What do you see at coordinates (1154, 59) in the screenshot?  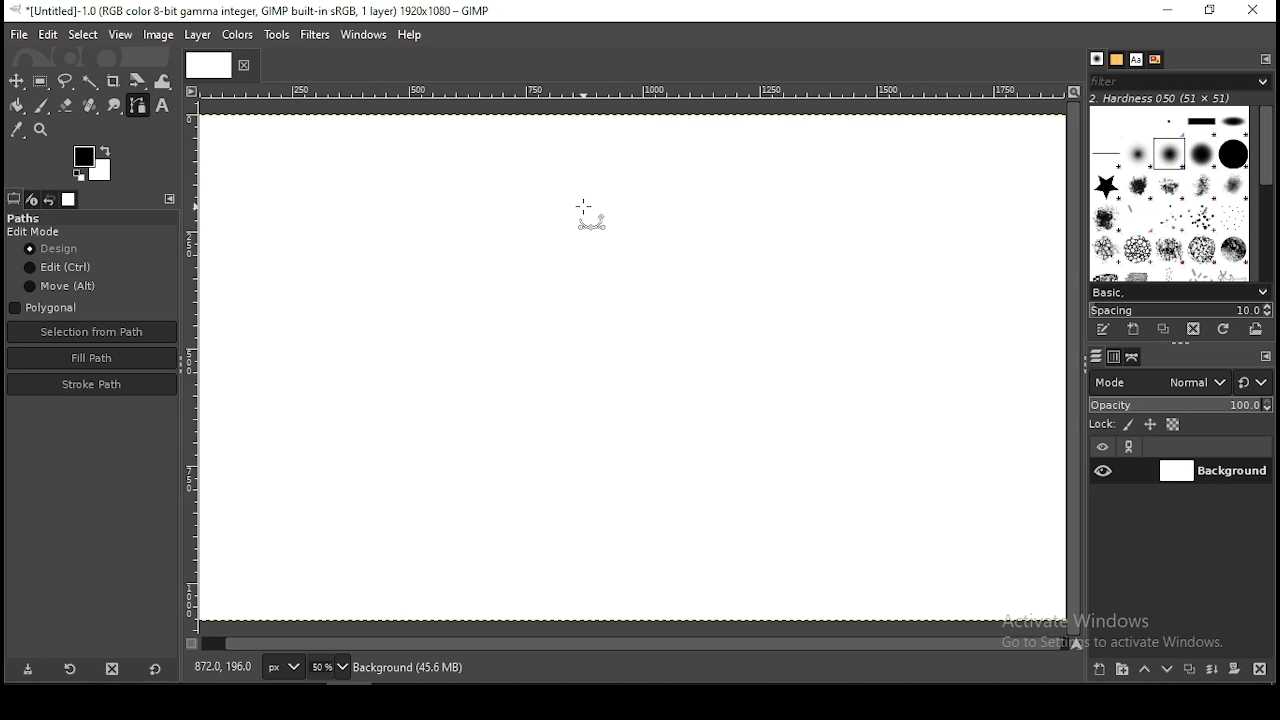 I see `document history` at bounding box center [1154, 59].